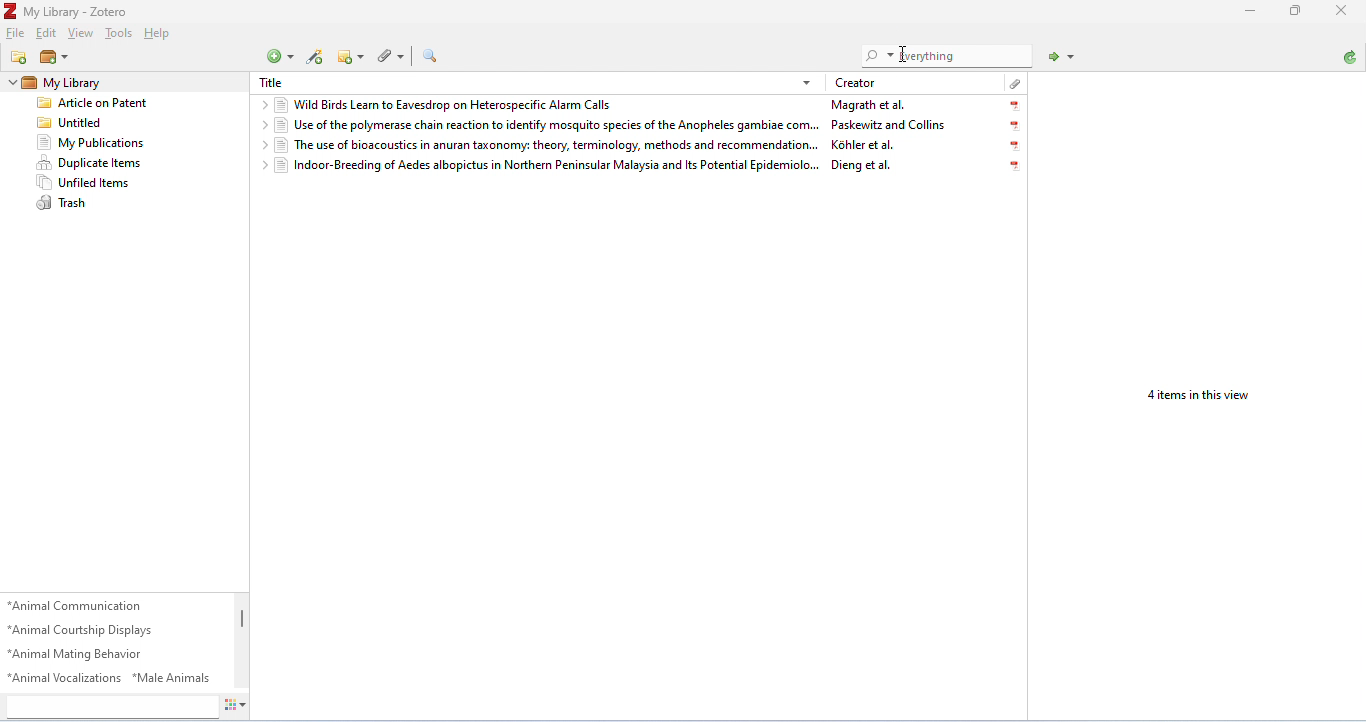  I want to click on Article on Patent, so click(104, 101).